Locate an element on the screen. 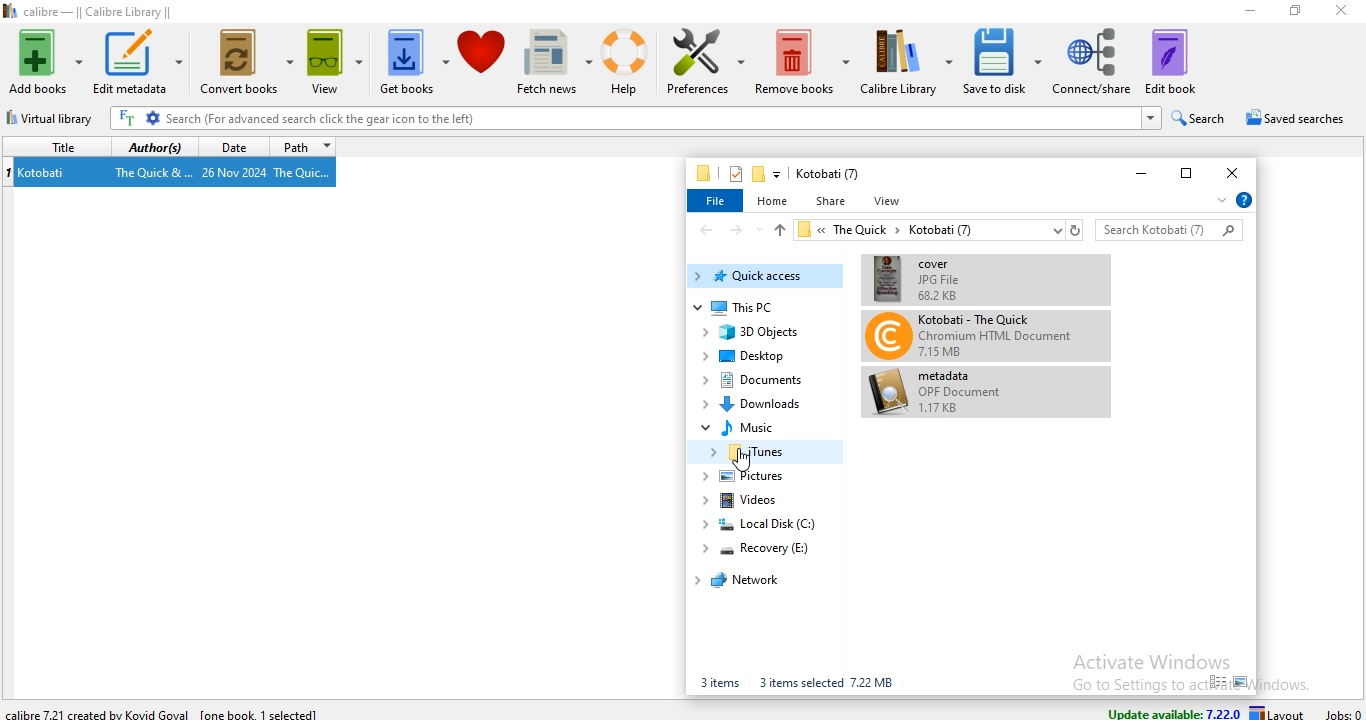  help is located at coordinates (1243, 200).